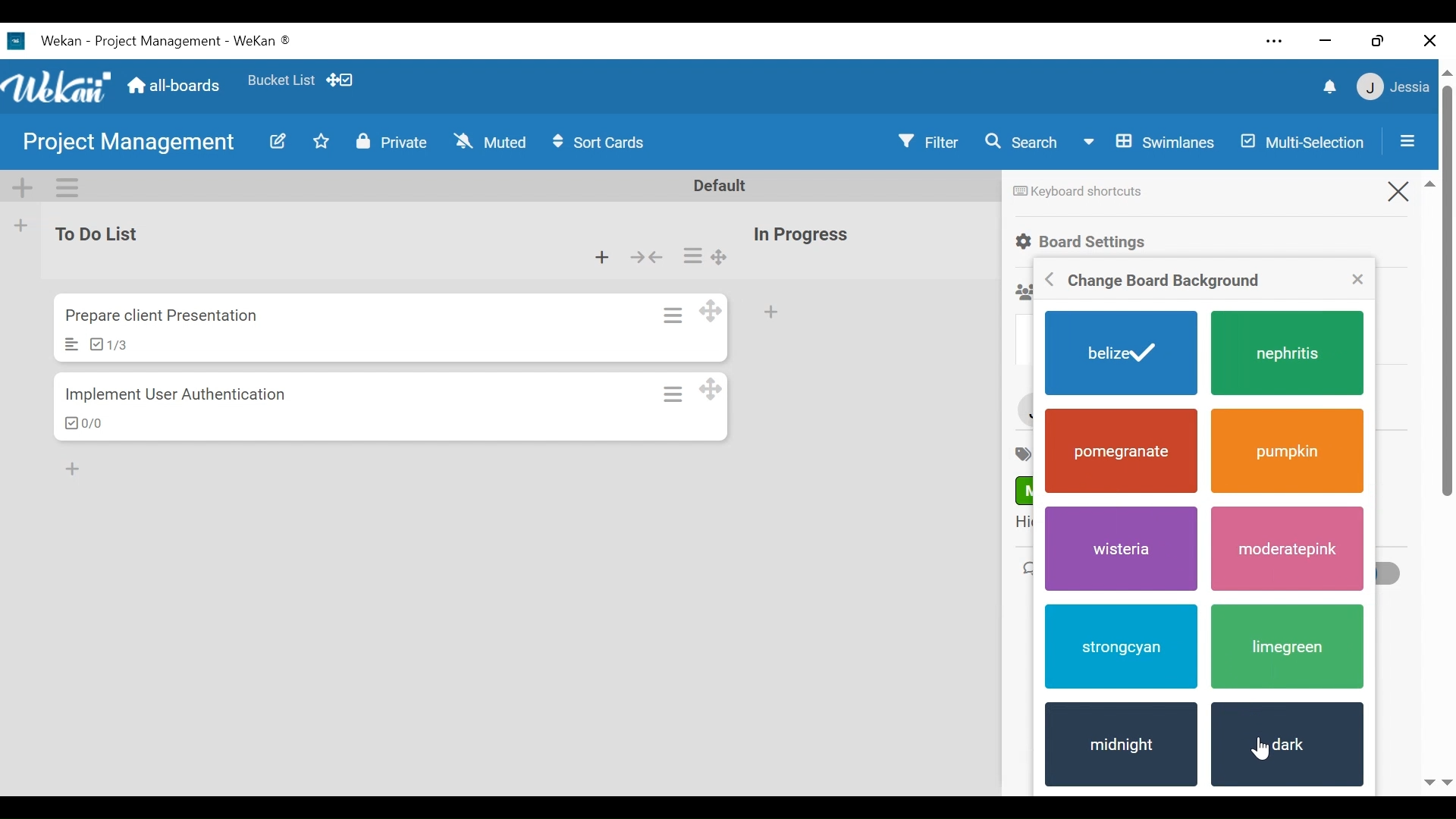 The width and height of the screenshot is (1456, 819). I want to click on Checklist, so click(106, 344).